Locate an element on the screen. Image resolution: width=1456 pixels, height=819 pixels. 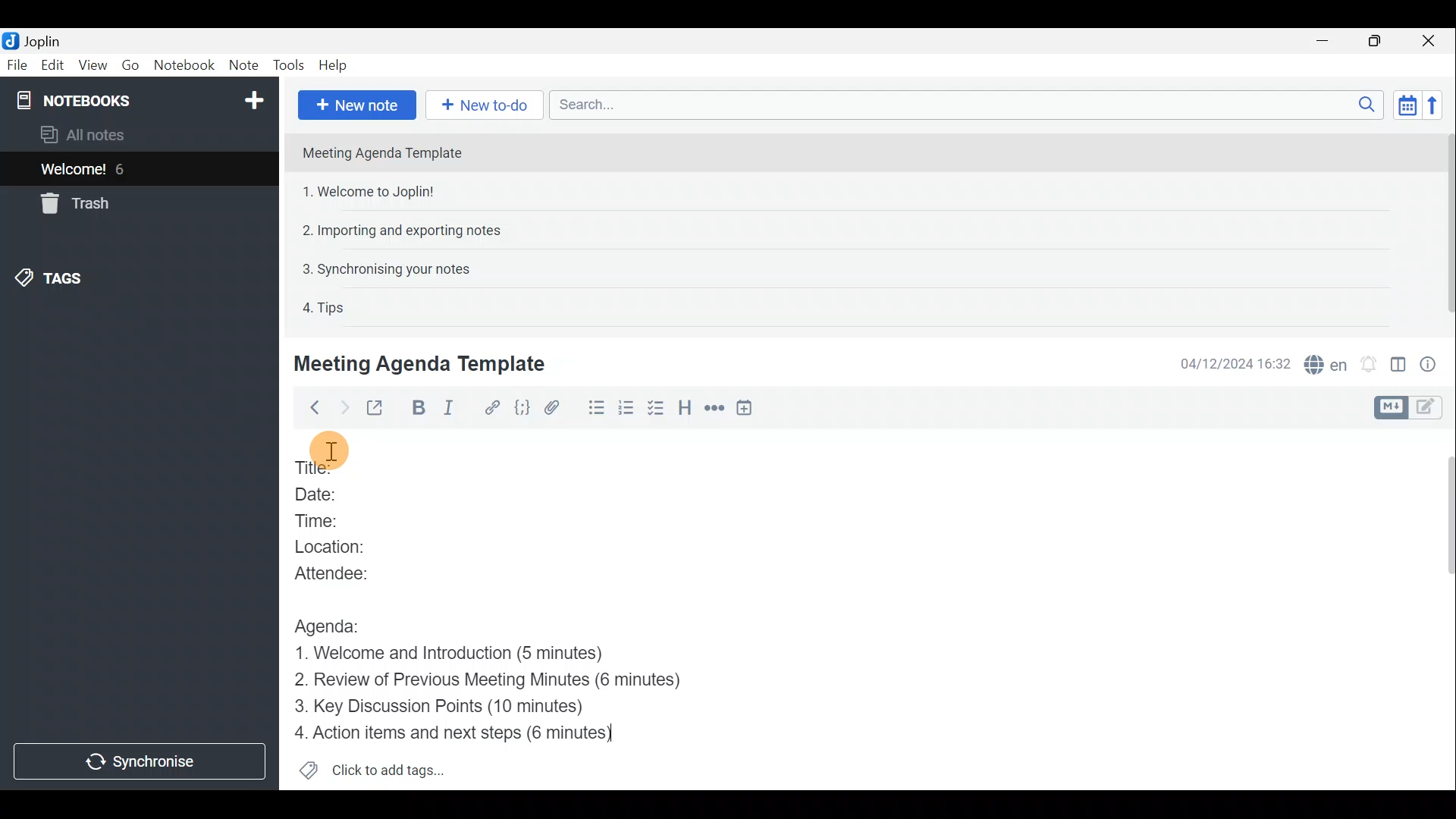
Checkbox is located at coordinates (654, 409).